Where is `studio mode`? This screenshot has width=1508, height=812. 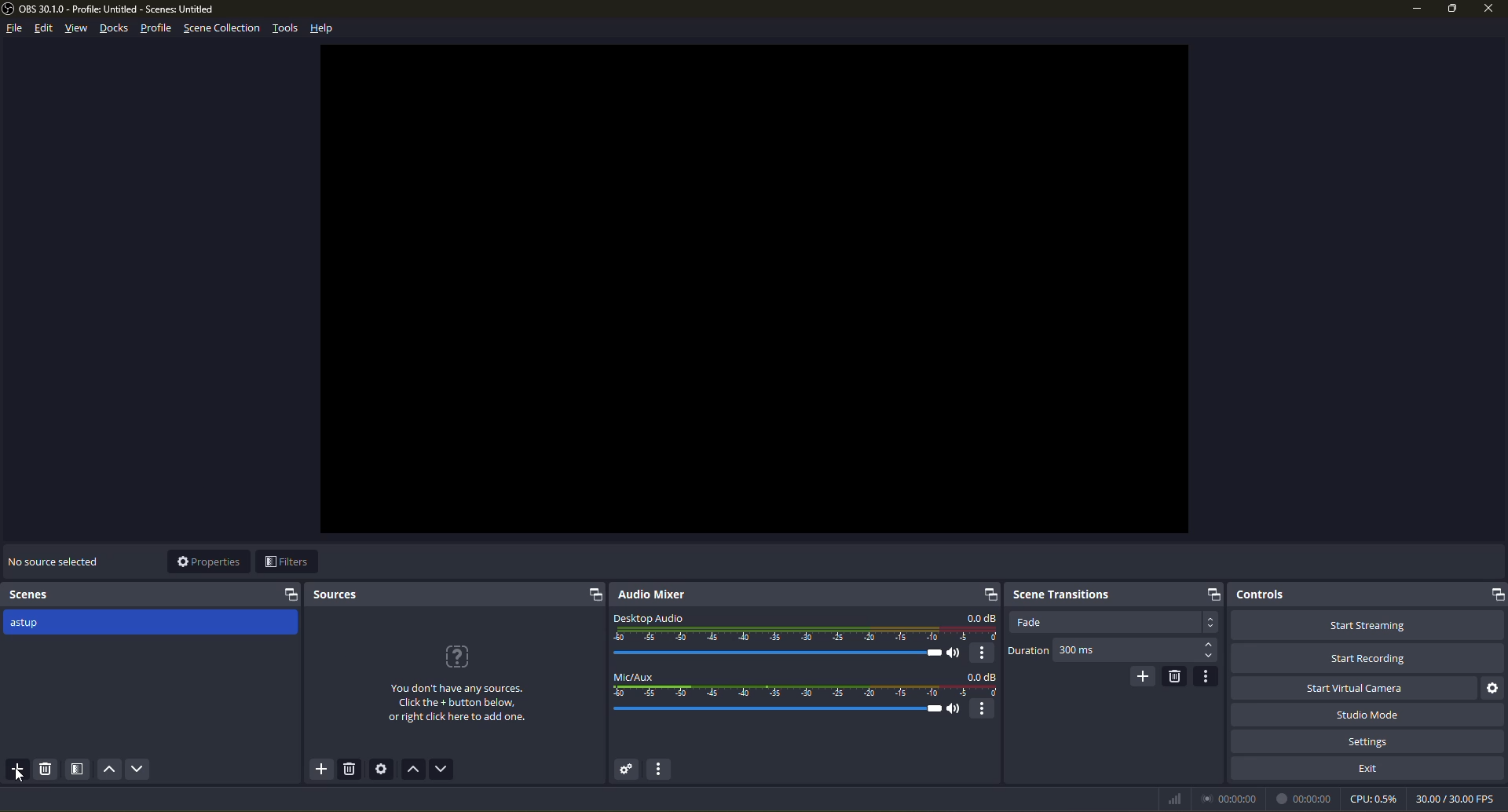
studio mode is located at coordinates (1370, 715).